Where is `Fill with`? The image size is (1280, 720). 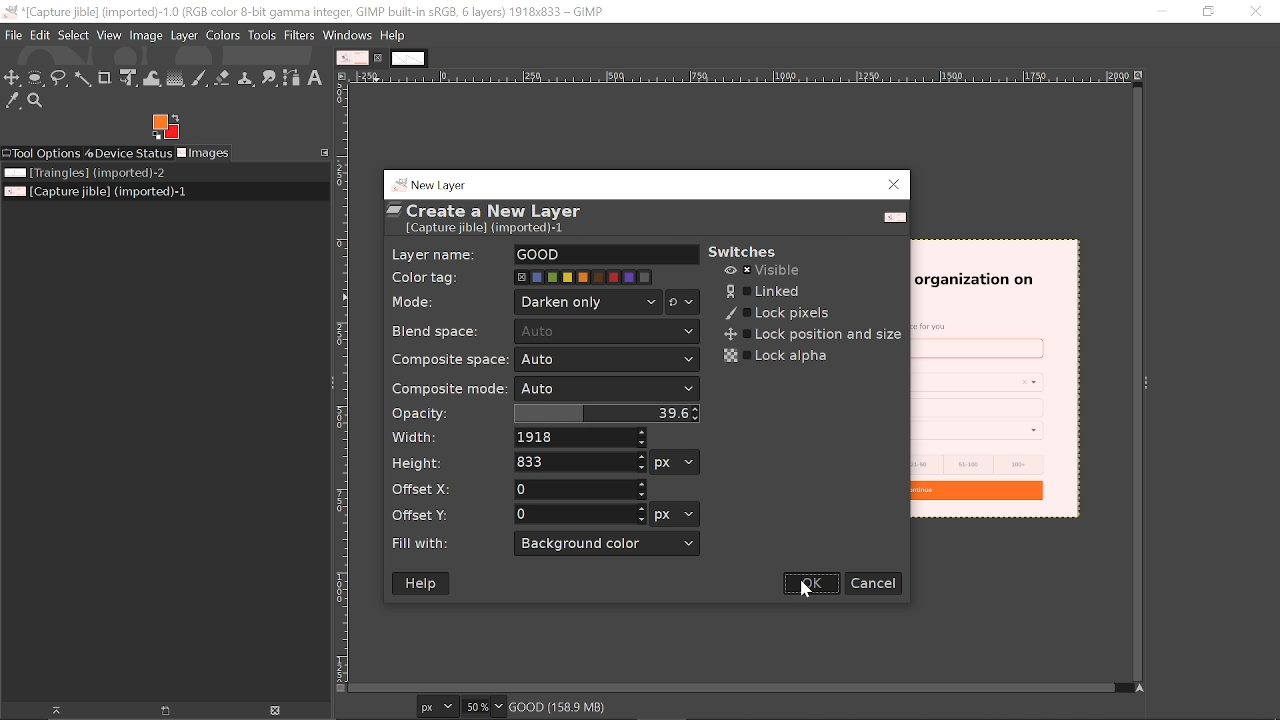
Fill with is located at coordinates (608, 544).